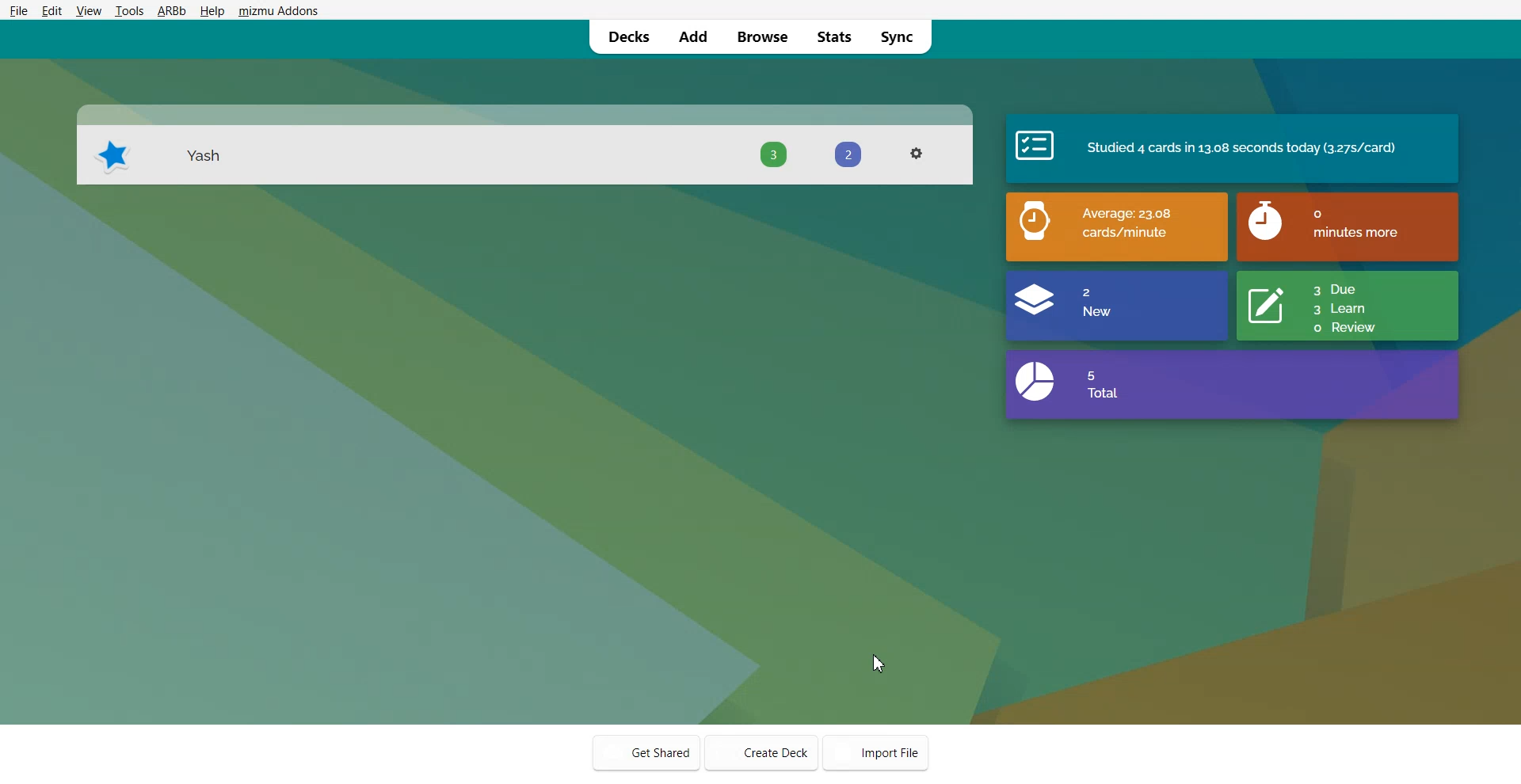  I want to click on Deck file, so click(524, 146).